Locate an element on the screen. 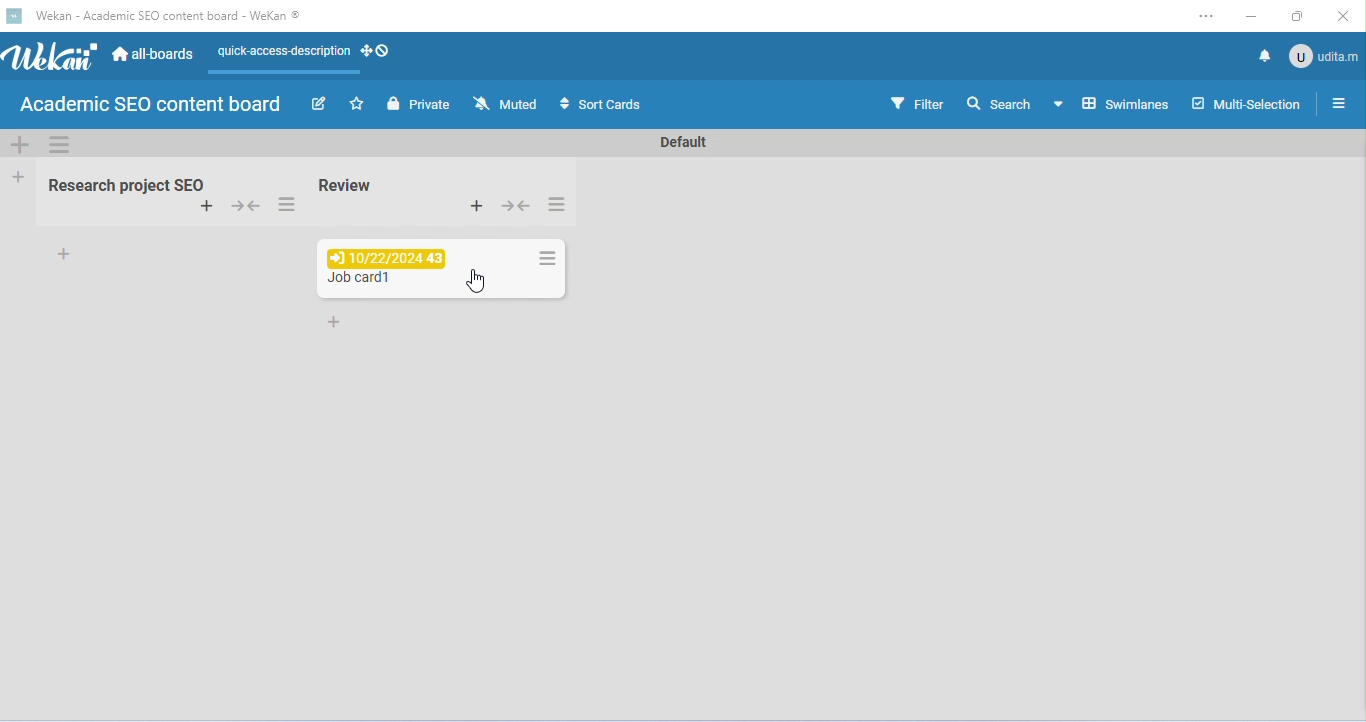 The height and width of the screenshot is (722, 1366). maximize is located at coordinates (1299, 16).